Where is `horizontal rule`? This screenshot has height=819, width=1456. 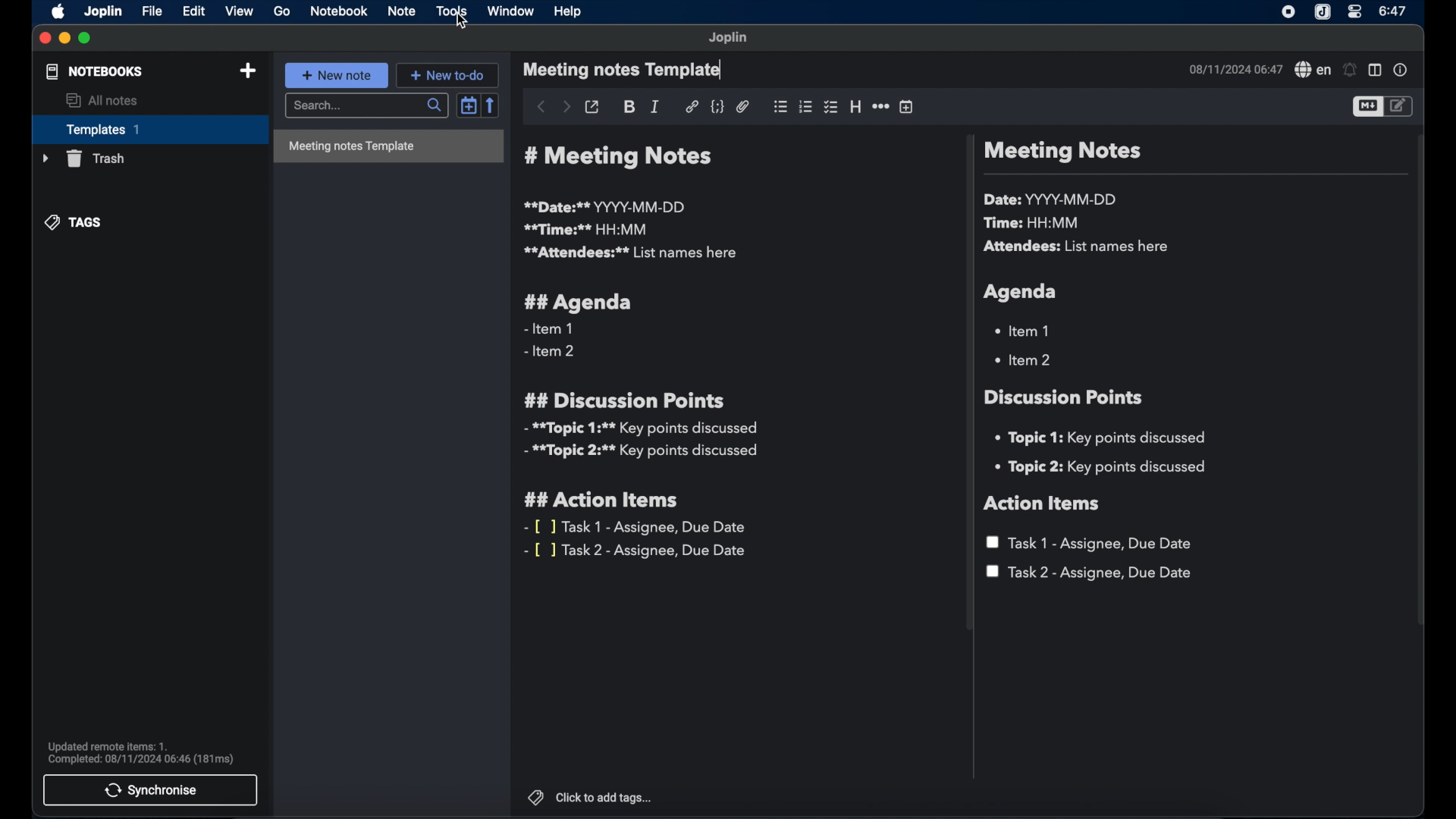
horizontal rule is located at coordinates (880, 105).